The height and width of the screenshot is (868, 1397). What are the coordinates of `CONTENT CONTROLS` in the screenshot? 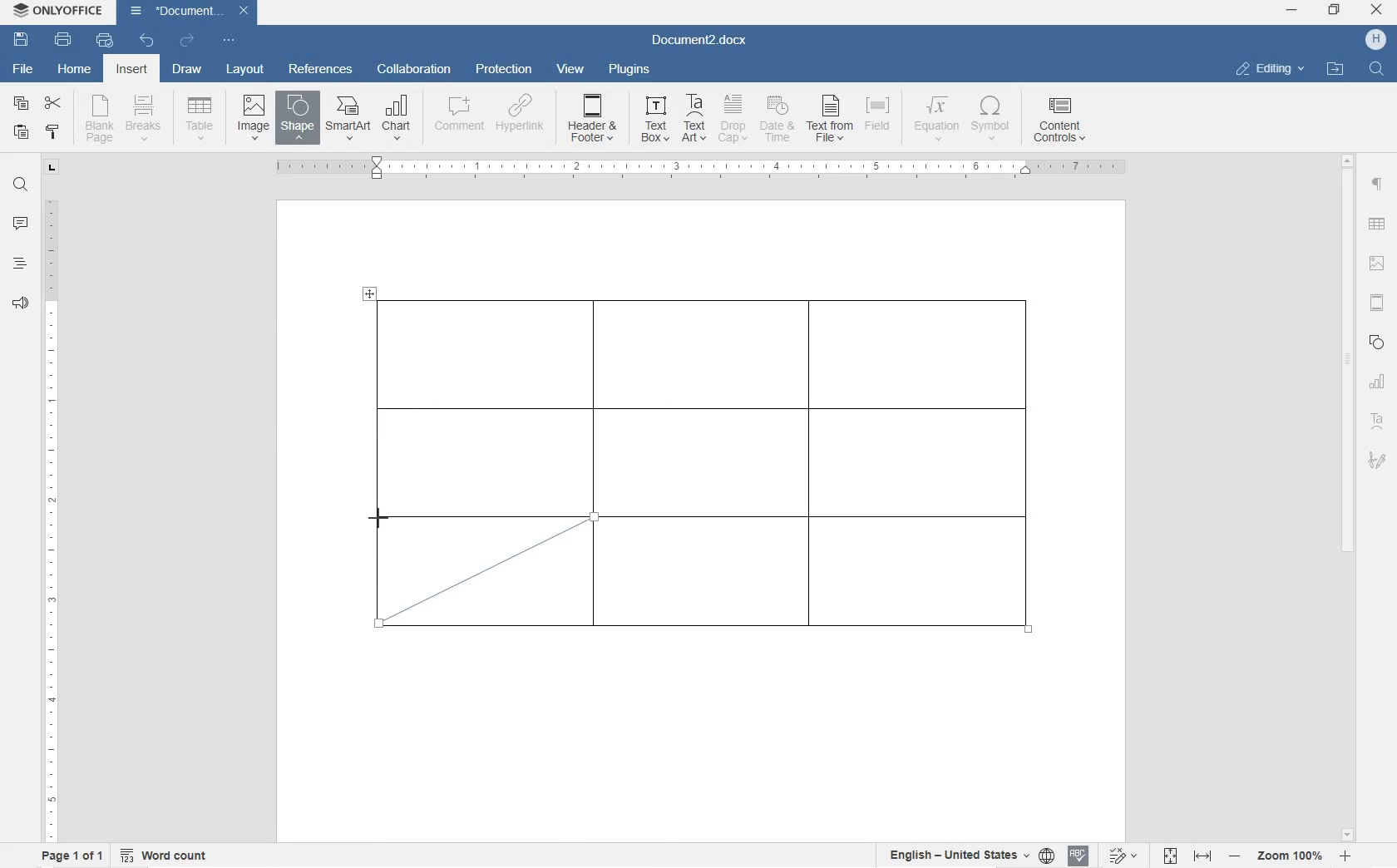 It's located at (1057, 122).